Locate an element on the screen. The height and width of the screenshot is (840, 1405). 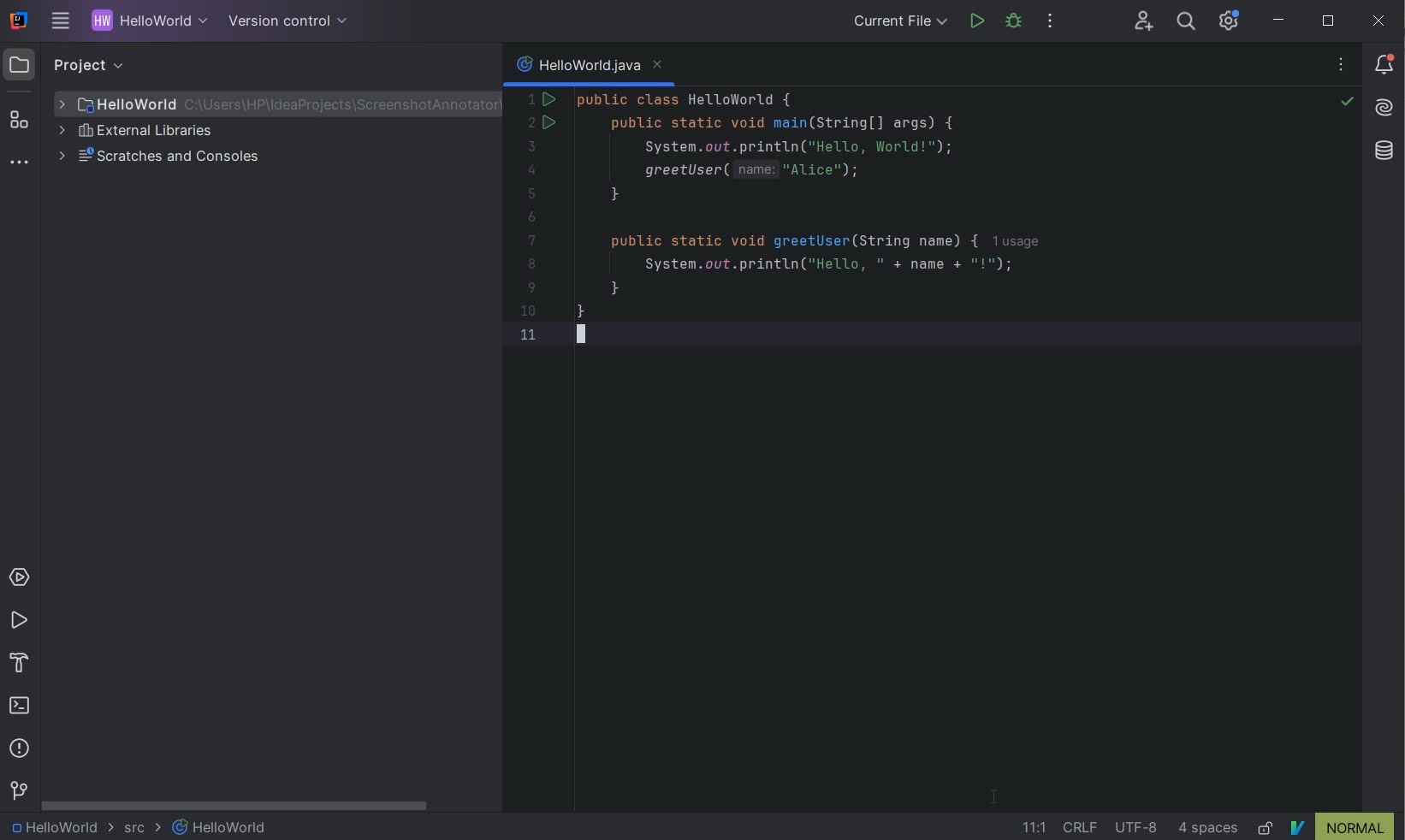
cursor is located at coordinates (996, 795).